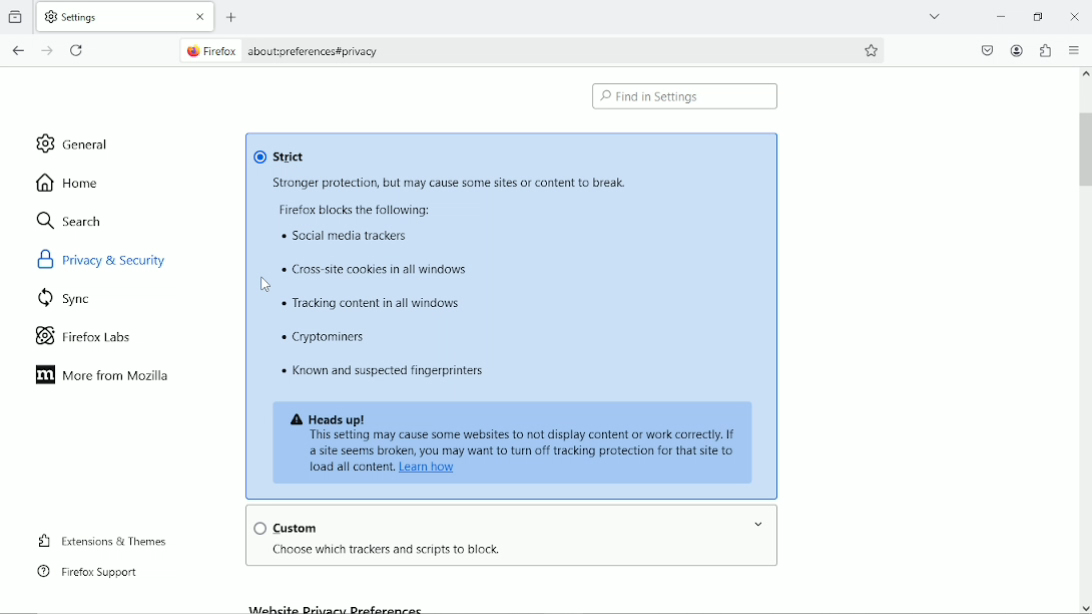  I want to click on general, so click(68, 142).